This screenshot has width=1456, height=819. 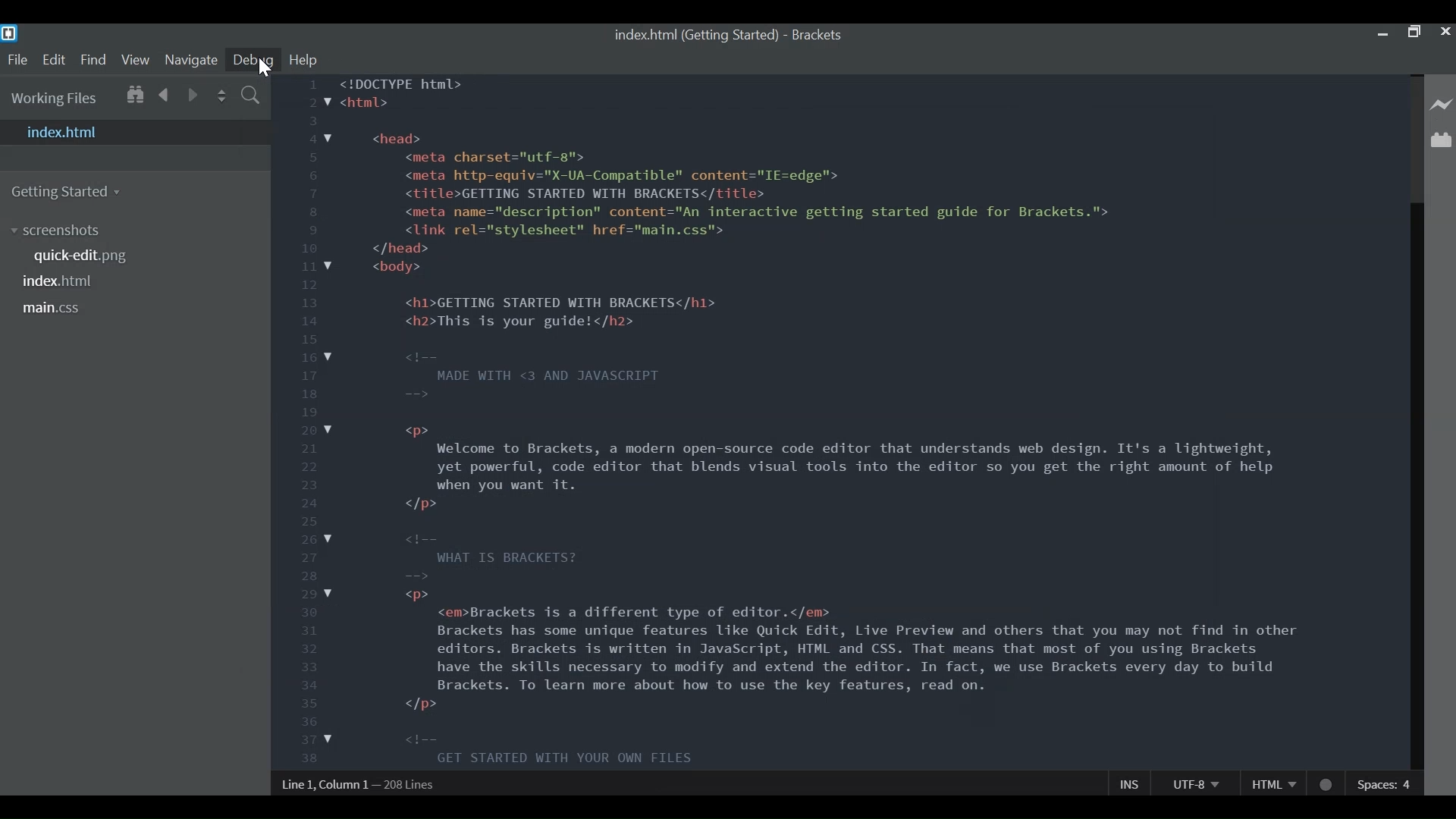 What do you see at coordinates (311, 423) in the screenshot?
I see `1

2

8

4

5

6

7

8

El
10
11
12
13
14
15
16
17
18
19
20
21
22
7k}
24
25
26
27
28
29
30
31
32
33
34
35
36
37
38` at bounding box center [311, 423].